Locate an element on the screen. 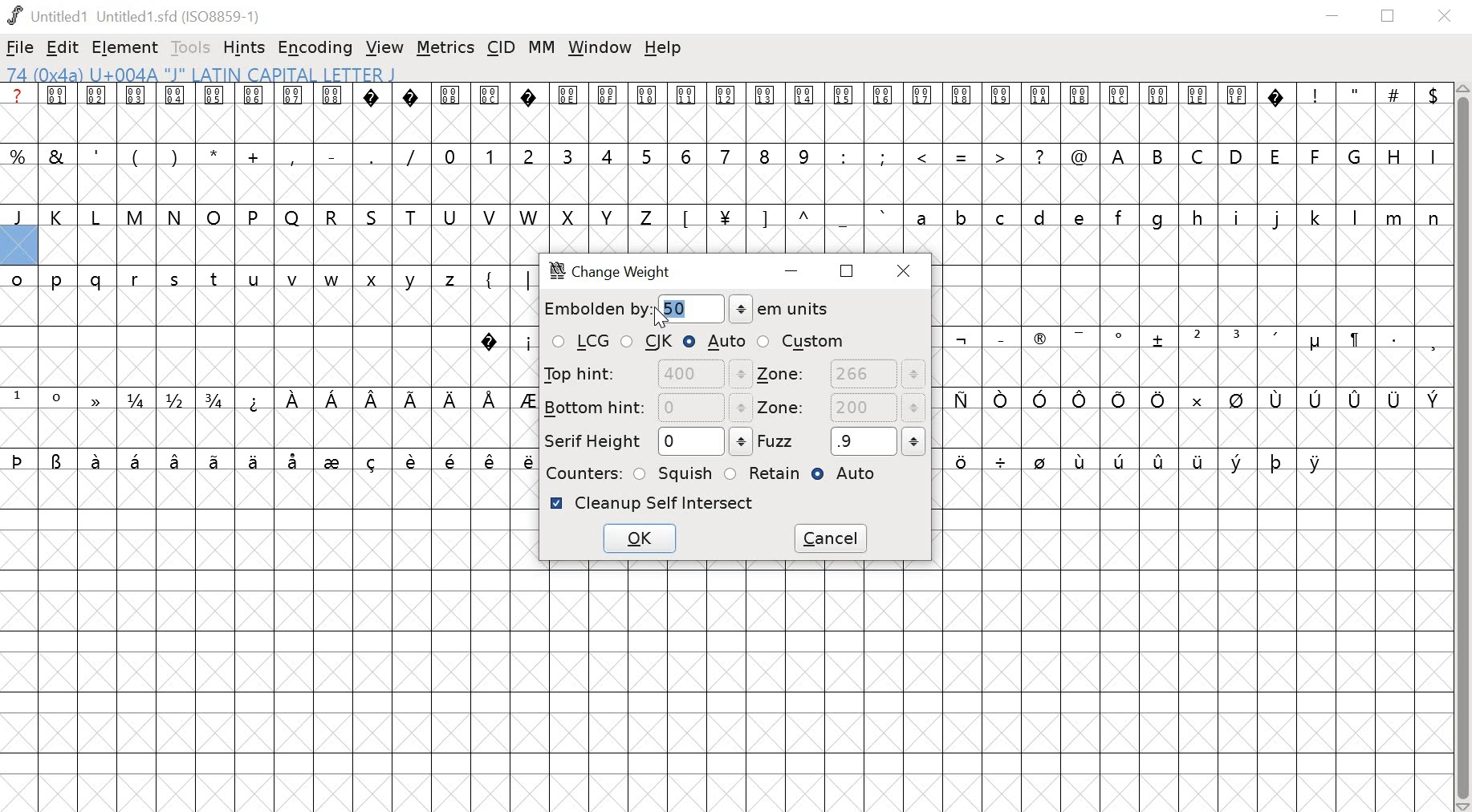 The height and width of the screenshot is (812, 1472). symbol is located at coordinates (93, 398).